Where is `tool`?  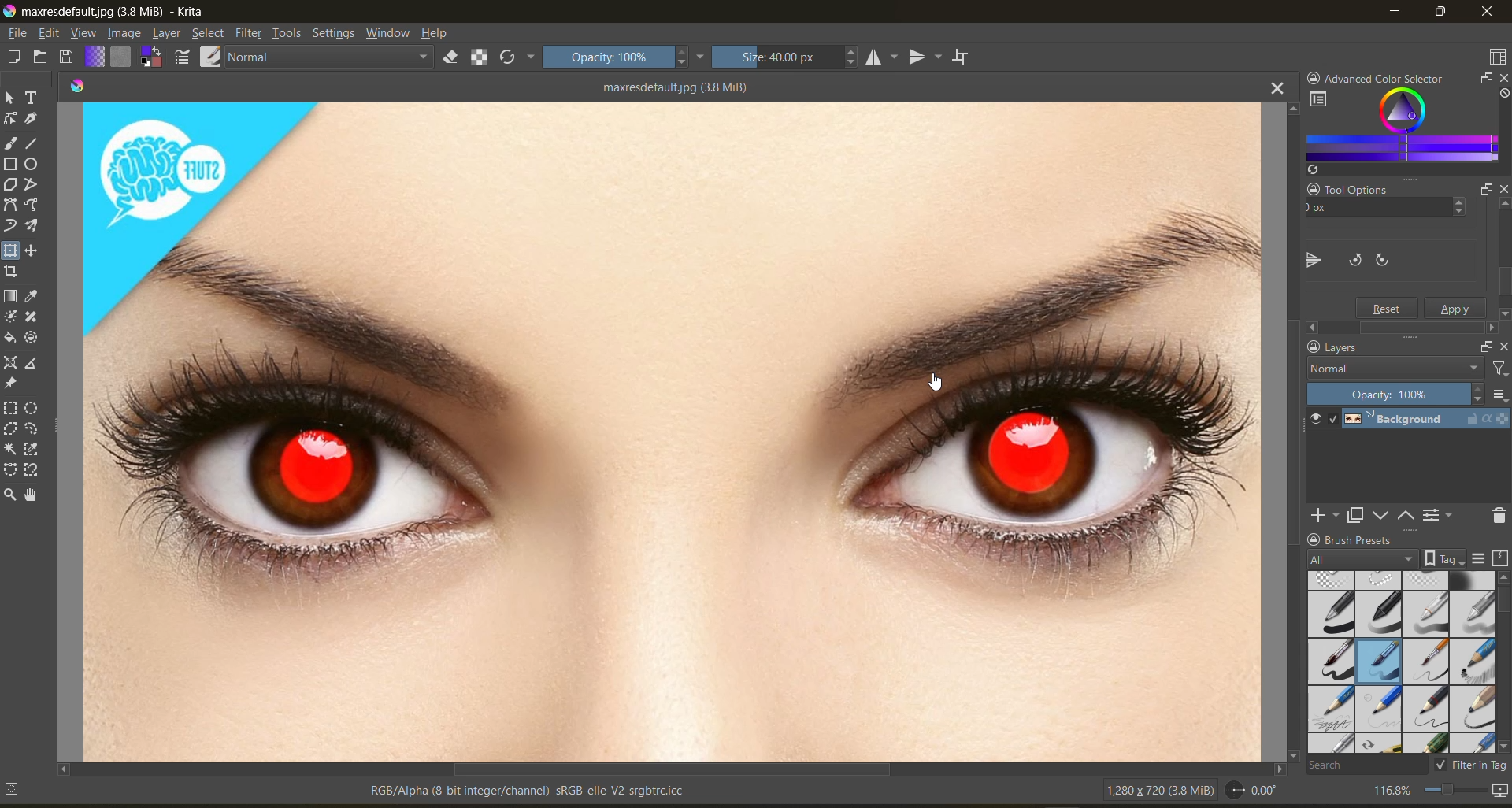
tool is located at coordinates (32, 496).